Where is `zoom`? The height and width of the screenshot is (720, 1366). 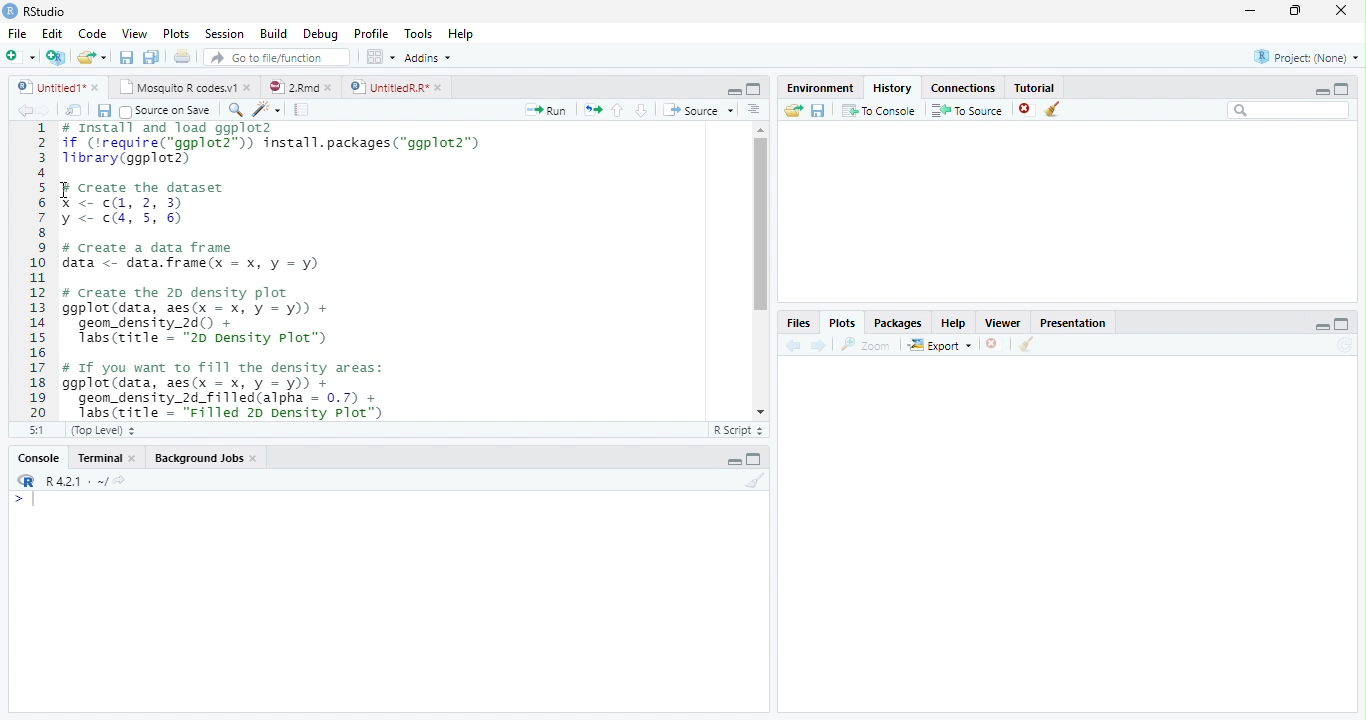
zoom is located at coordinates (869, 346).